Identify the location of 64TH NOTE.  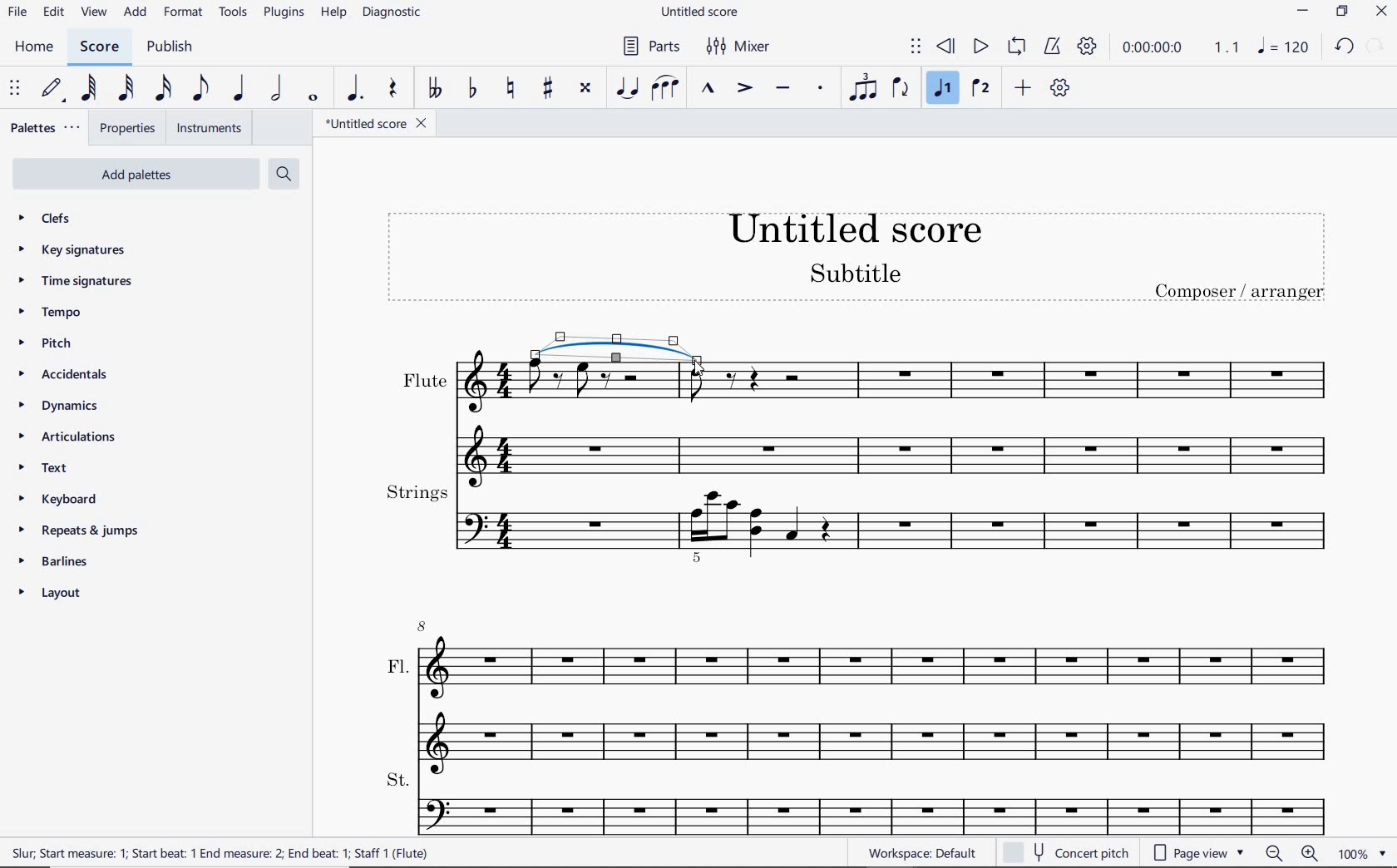
(90, 88).